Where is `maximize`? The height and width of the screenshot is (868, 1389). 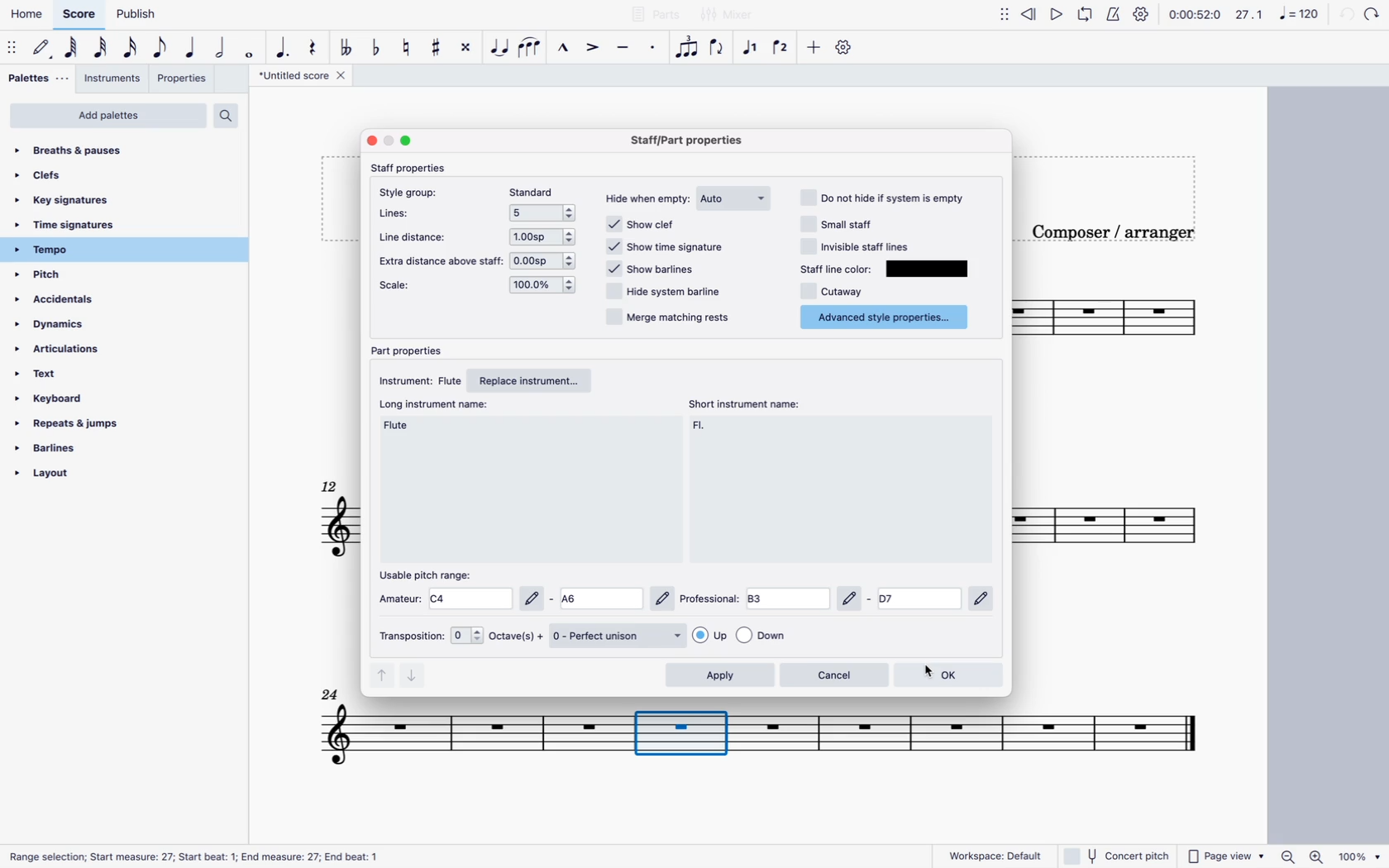 maximize is located at coordinates (407, 141).